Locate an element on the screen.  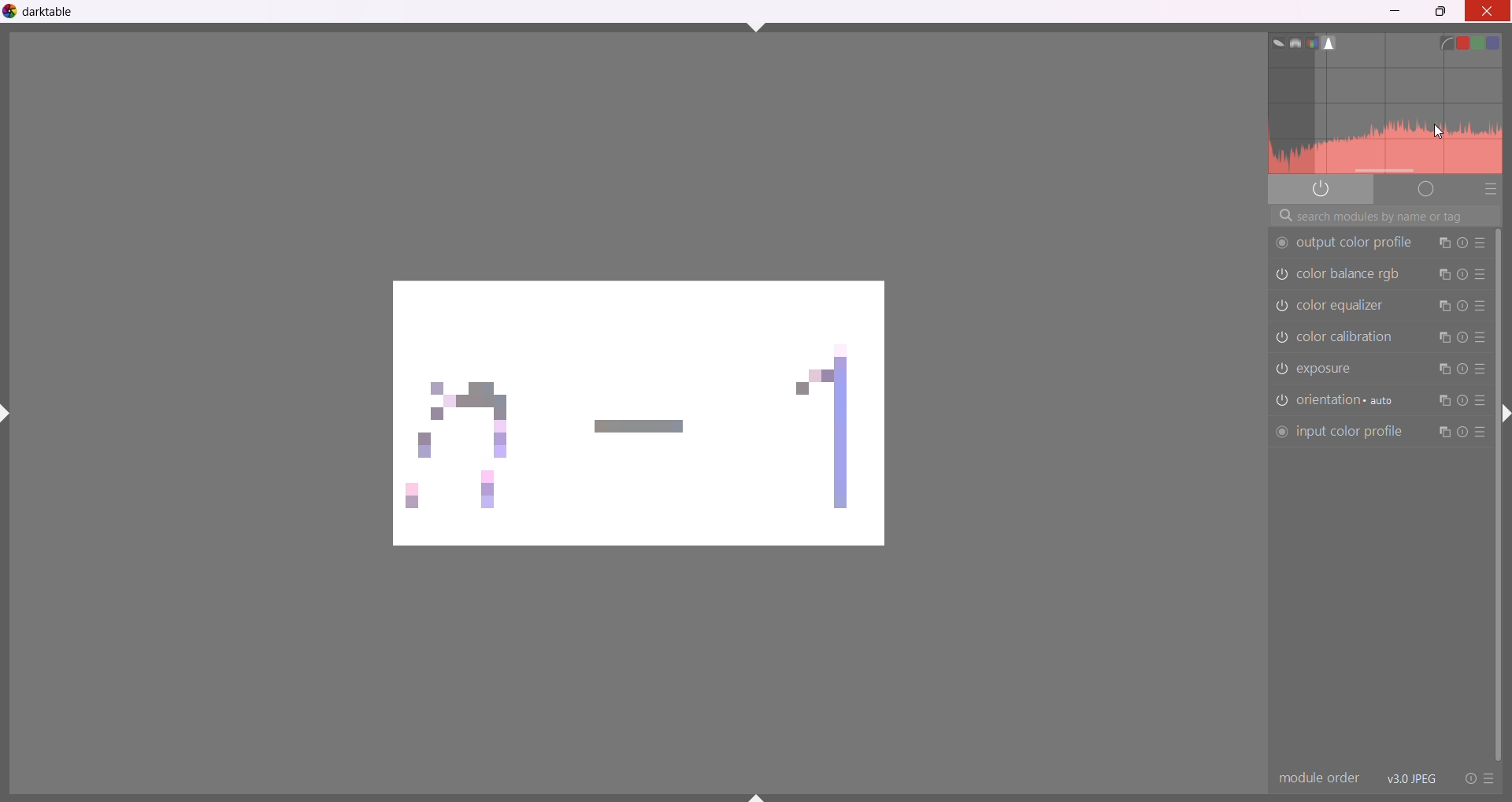
information is located at coordinates (1345, 207).